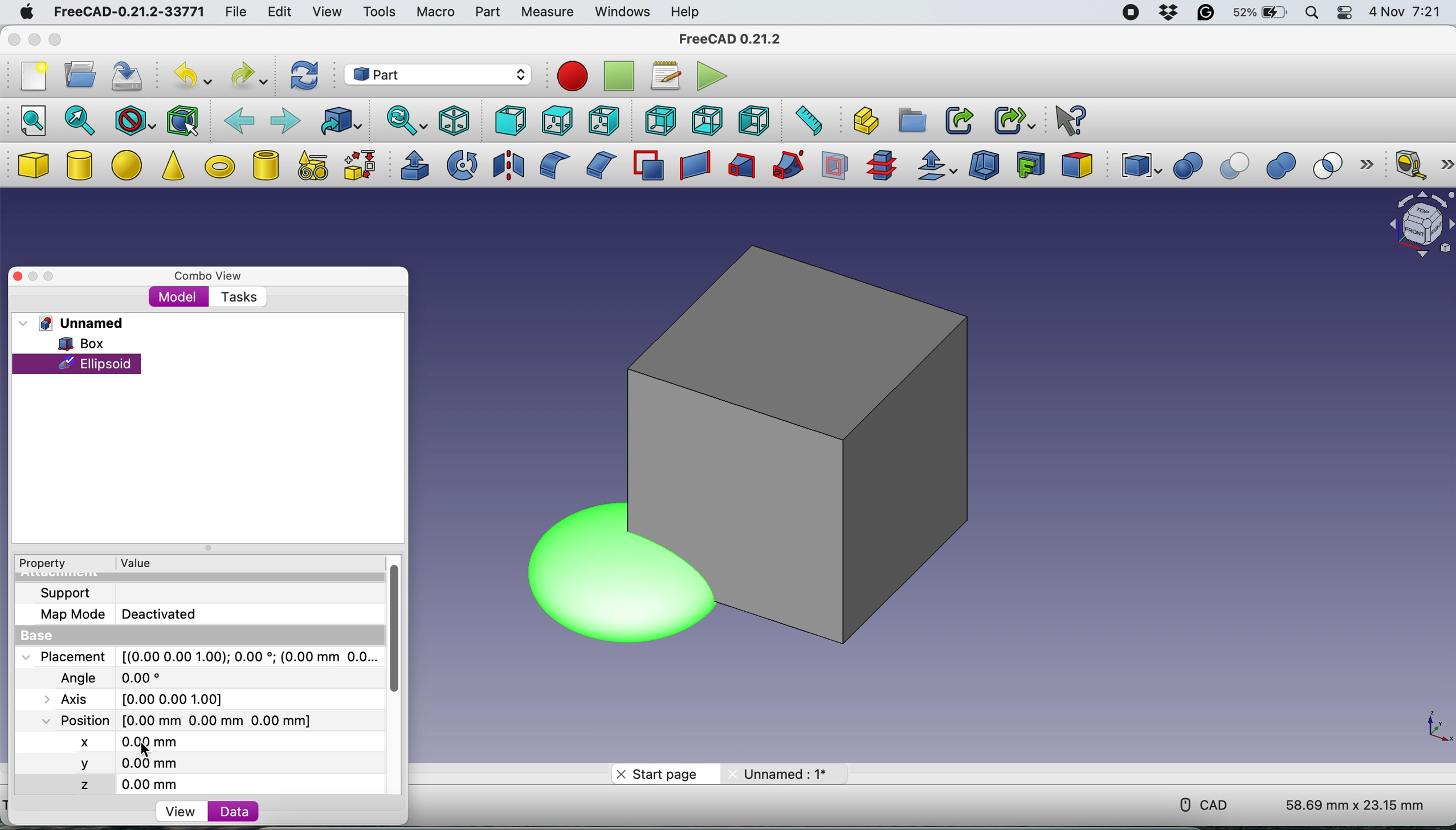 The height and width of the screenshot is (830, 1456). What do you see at coordinates (602, 122) in the screenshot?
I see `right` at bounding box center [602, 122].